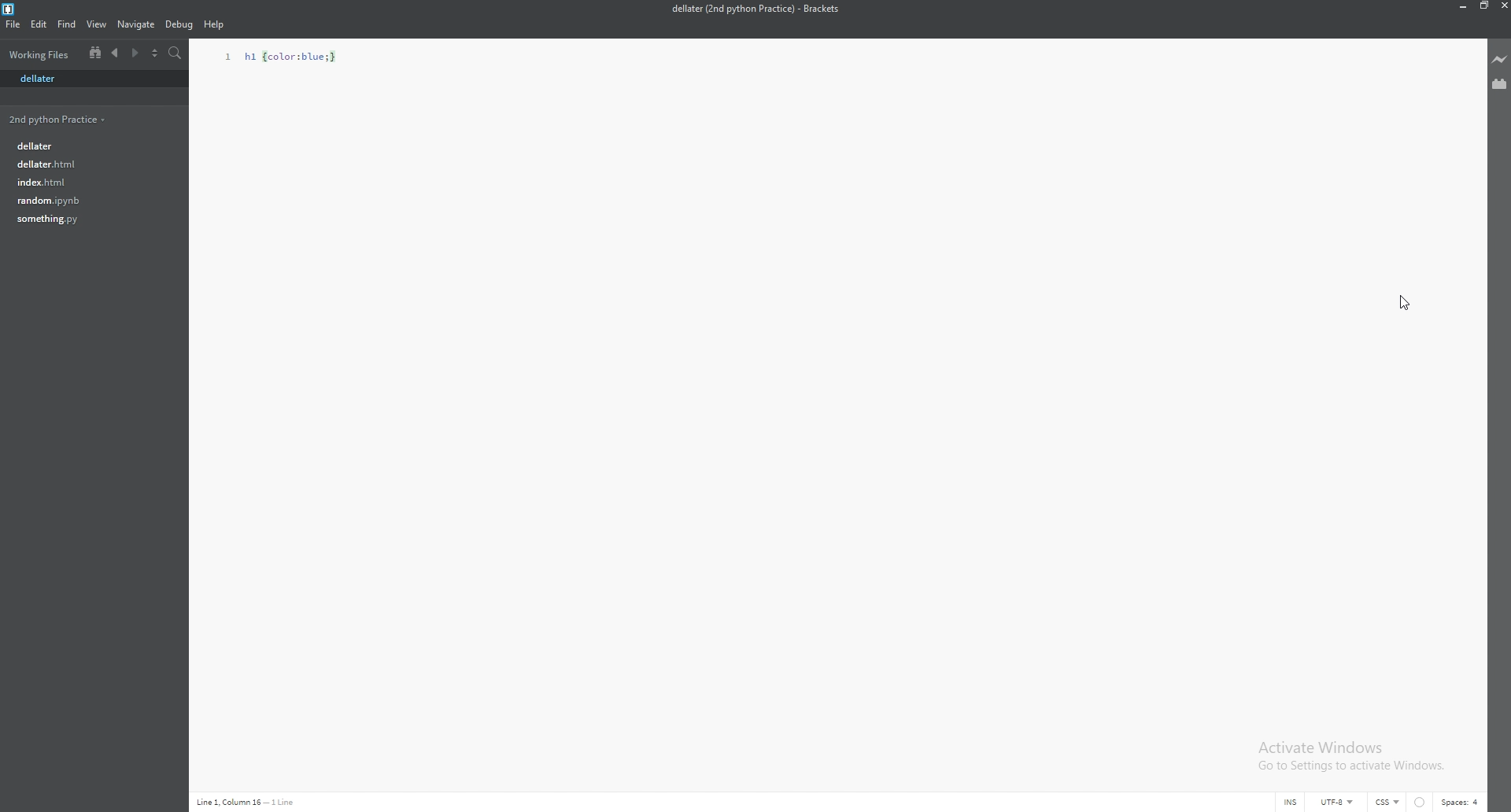 Image resolution: width=1511 pixels, height=812 pixels. Describe the element at coordinates (1500, 59) in the screenshot. I see `live preview` at that location.